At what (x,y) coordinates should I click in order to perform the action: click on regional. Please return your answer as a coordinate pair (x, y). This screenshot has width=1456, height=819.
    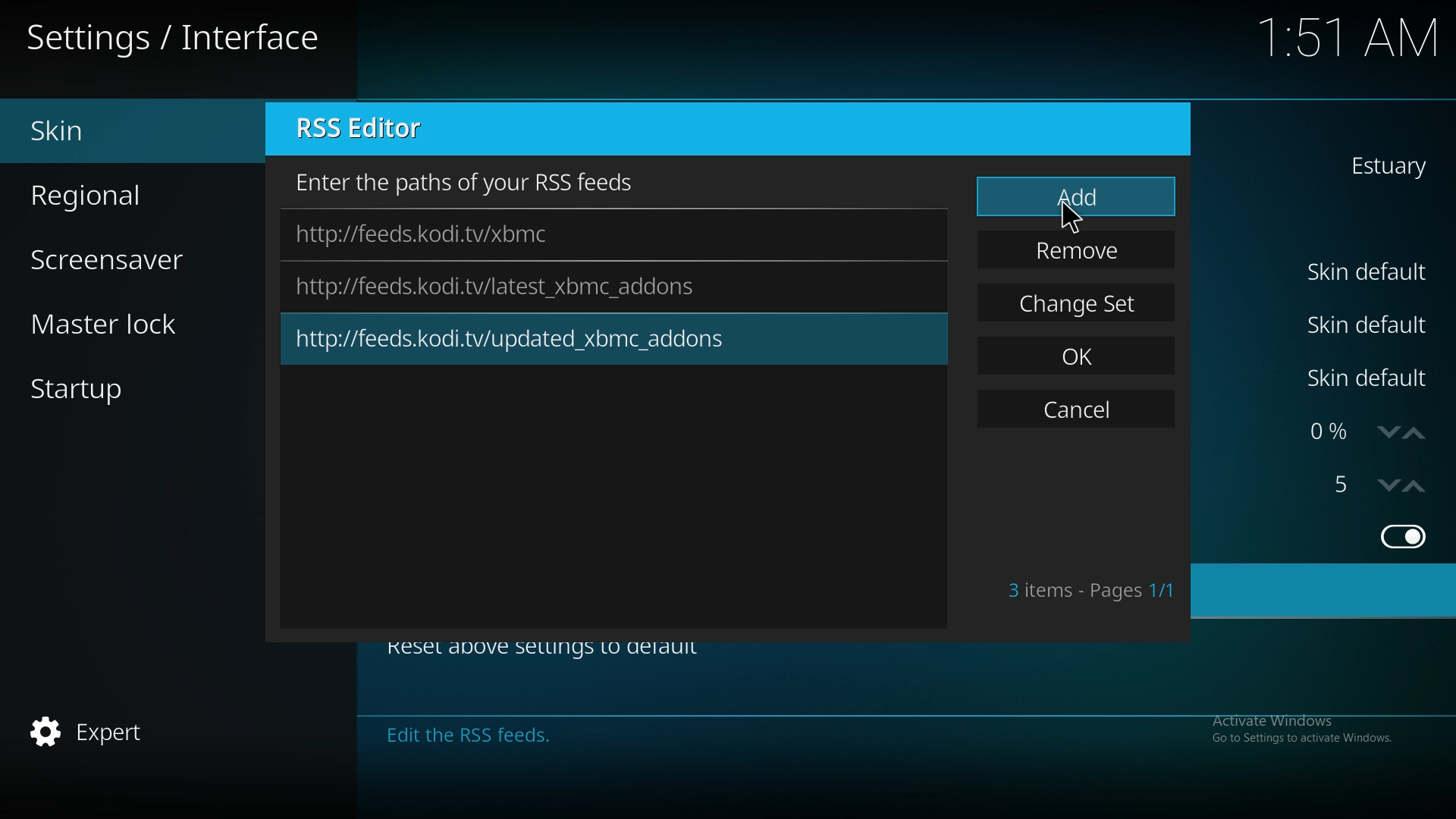
    Looking at the image, I should click on (115, 193).